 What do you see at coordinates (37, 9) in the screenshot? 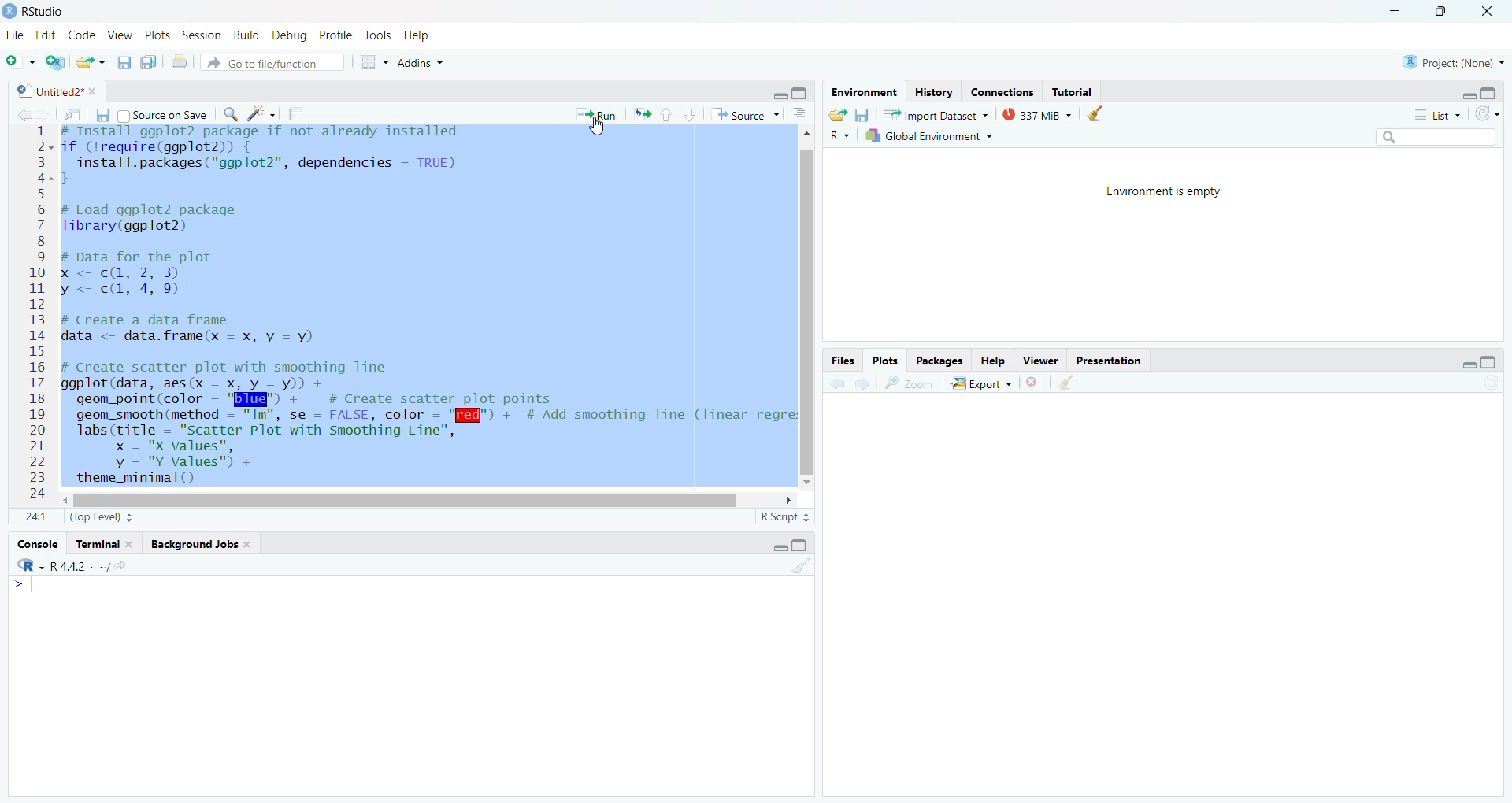
I see ` RStudio` at bounding box center [37, 9].